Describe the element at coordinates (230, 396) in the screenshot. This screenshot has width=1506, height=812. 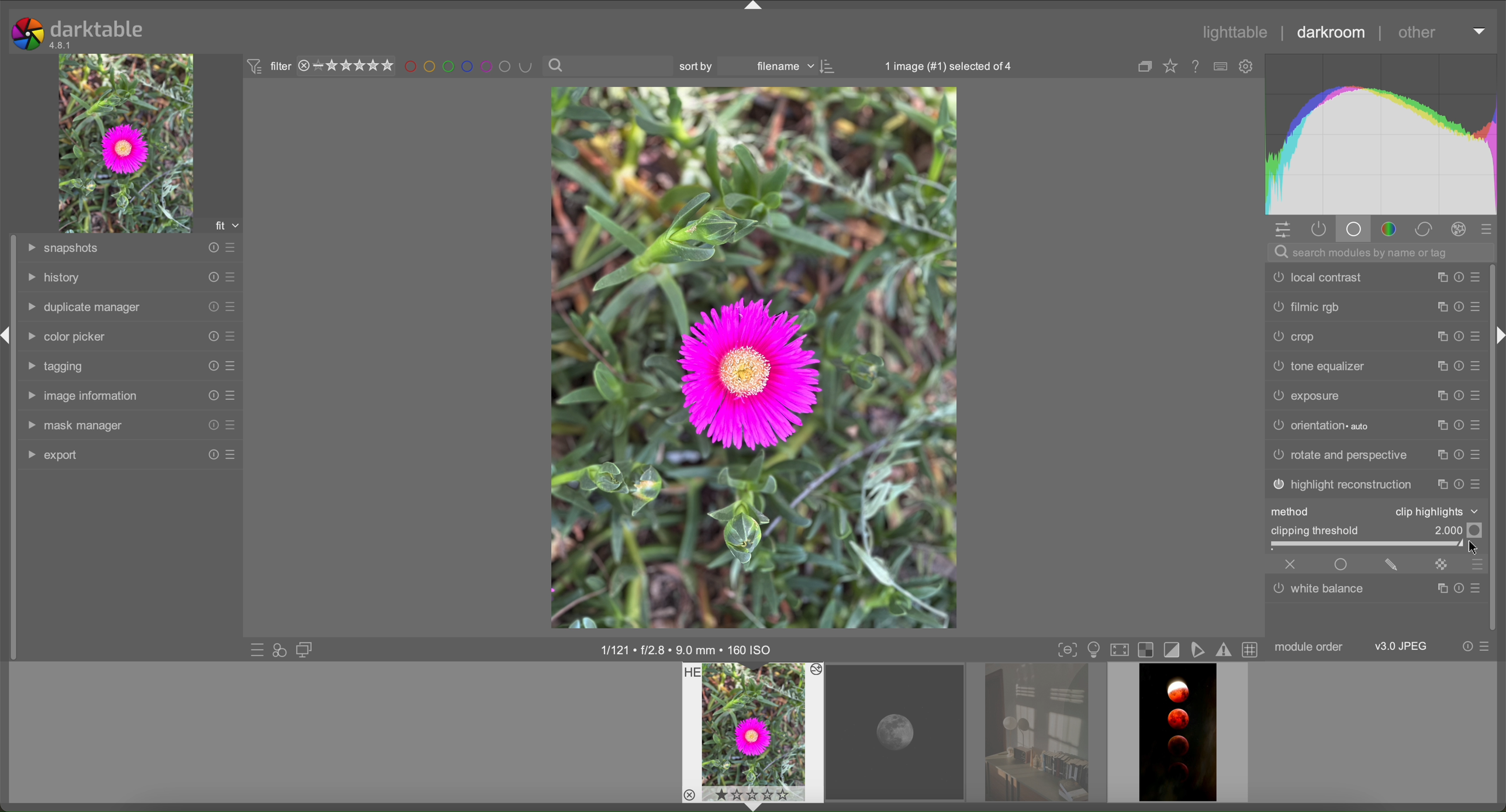
I see `presets` at that location.